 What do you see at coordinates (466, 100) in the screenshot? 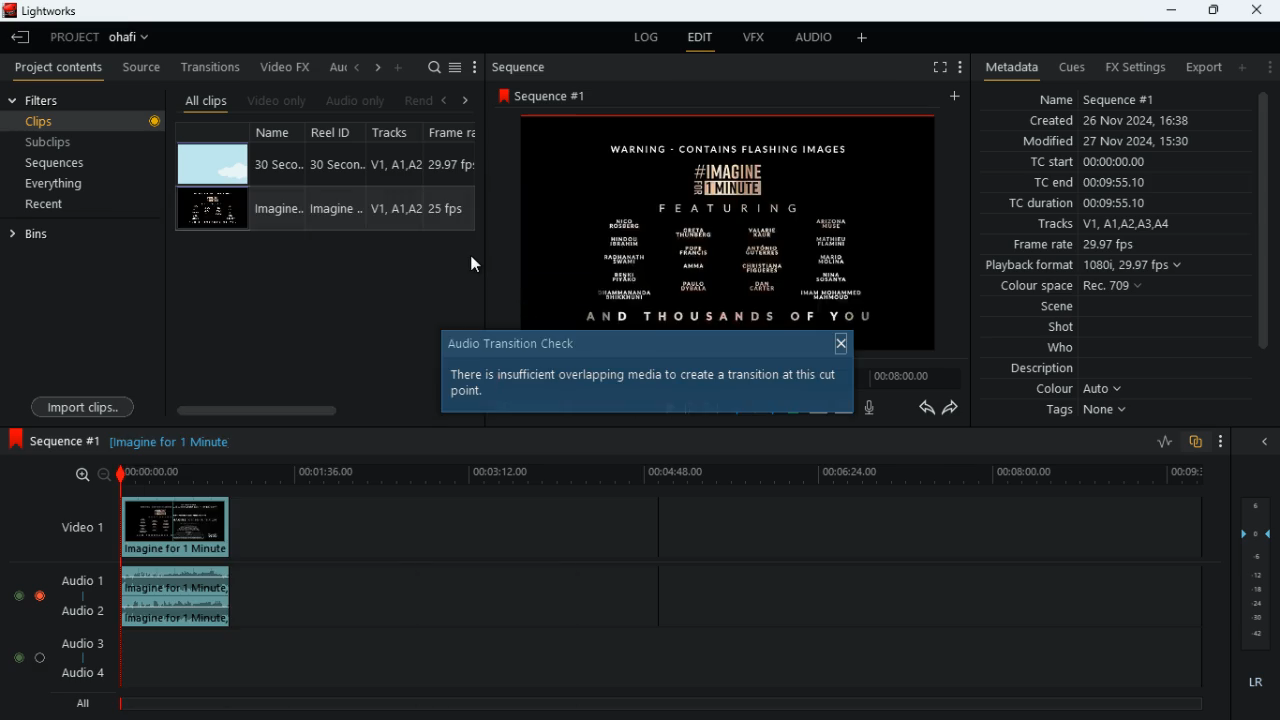
I see `right` at bounding box center [466, 100].